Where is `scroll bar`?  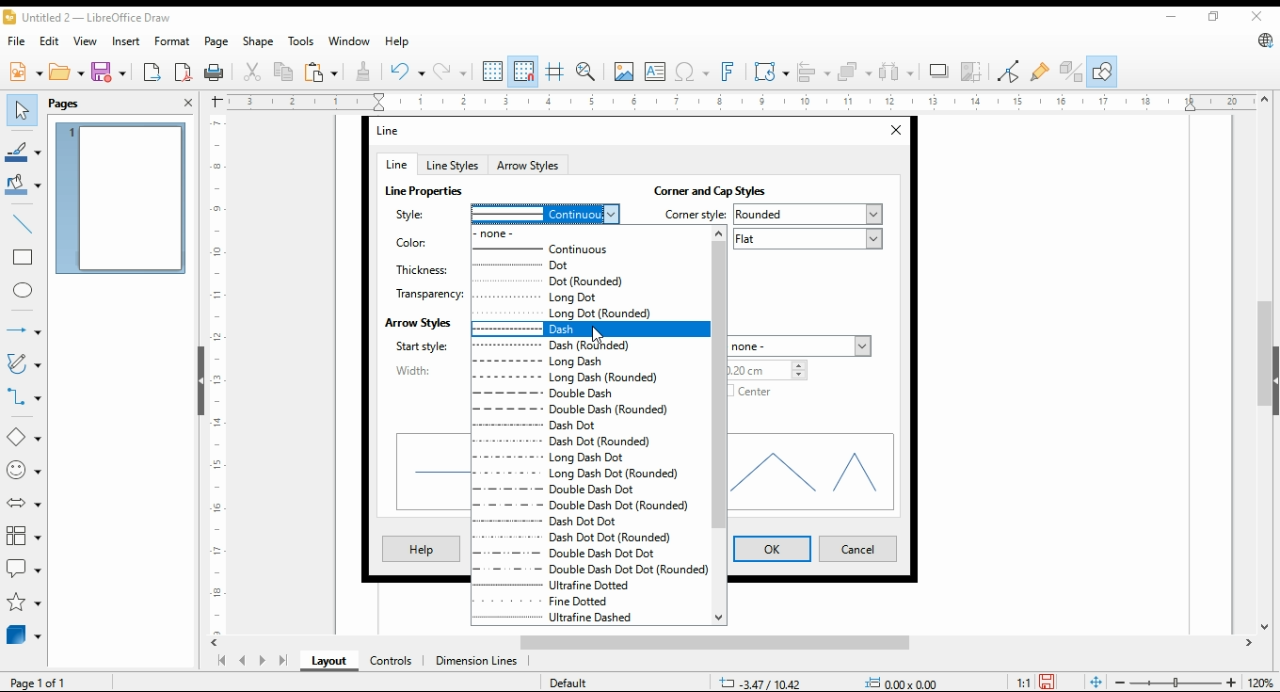 scroll bar is located at coordinates (719, 425).